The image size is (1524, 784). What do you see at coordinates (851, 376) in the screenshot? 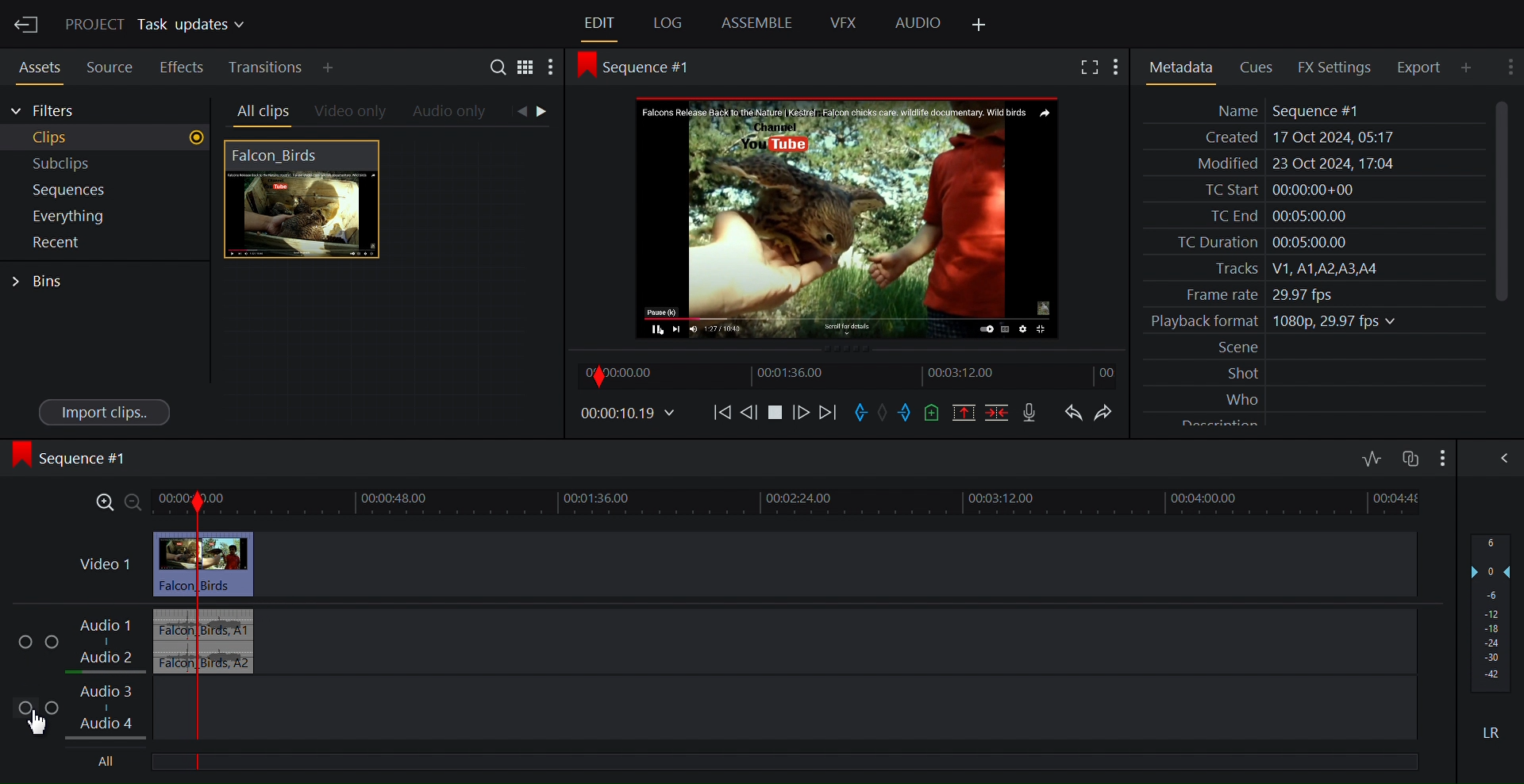
I see `Timeline` at bounding box center [851, 376].